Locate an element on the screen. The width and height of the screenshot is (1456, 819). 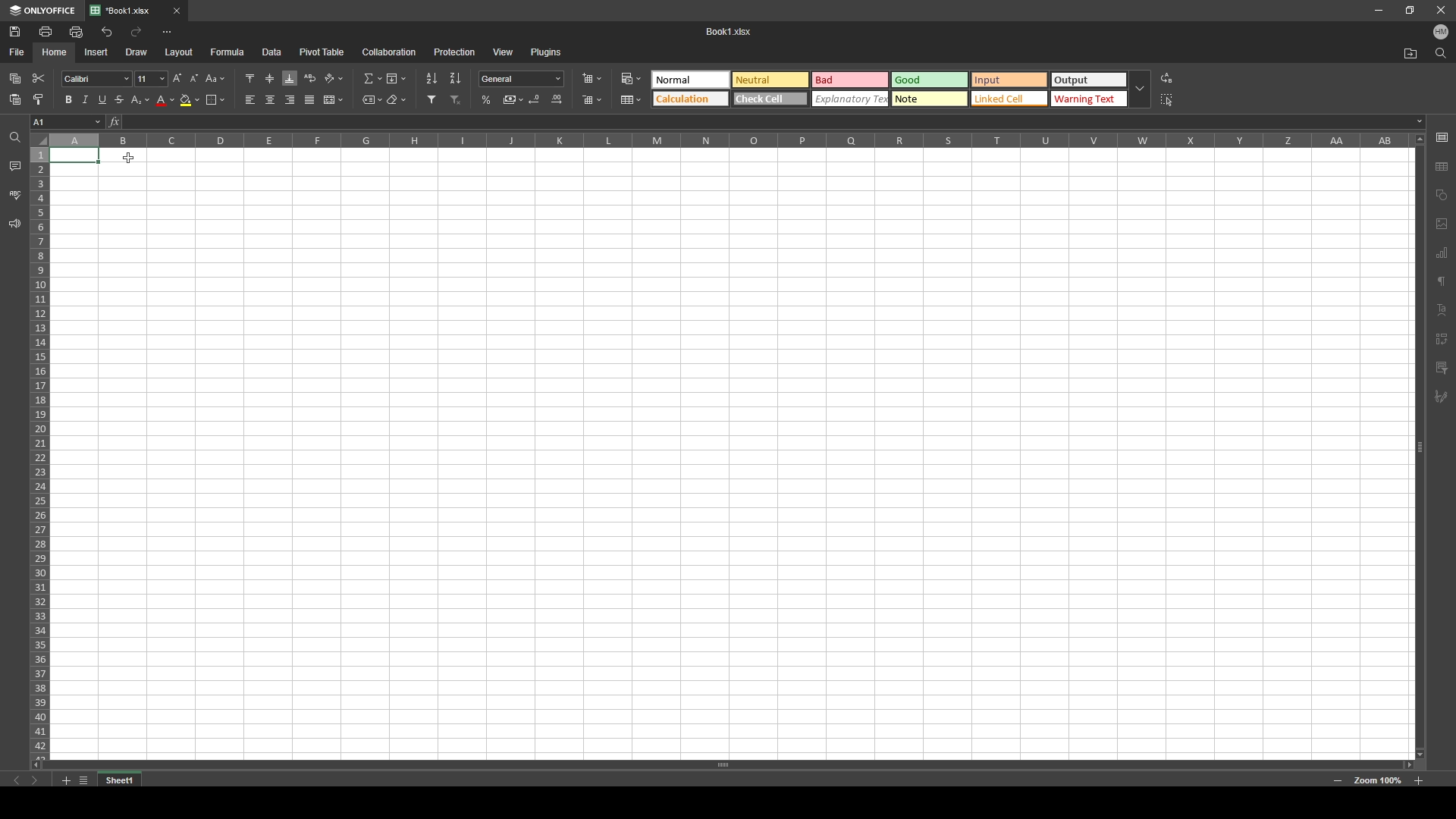
expand is located at coordinates (1140, 89).